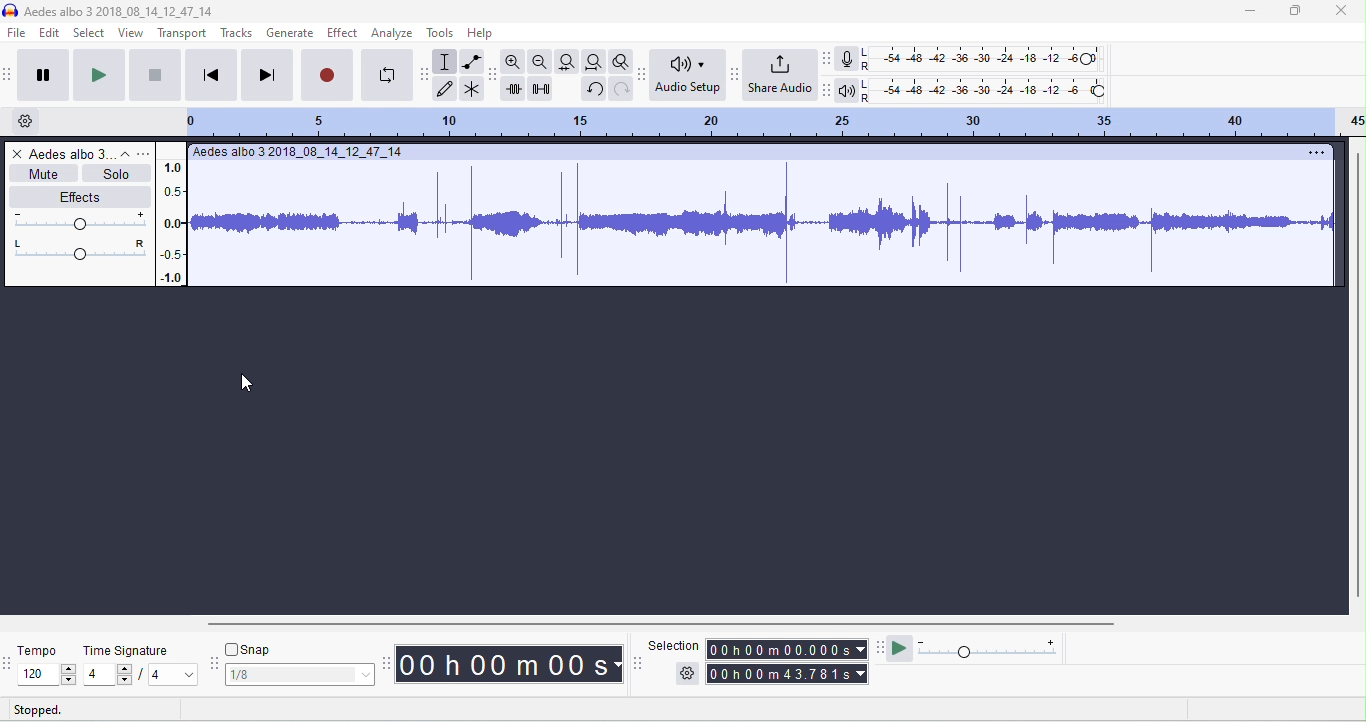 The image size is (1366, 722). What do you see at coordinates (266, 75) in the screenshot?
I see `skip to end` at bounding box center [266, 75].